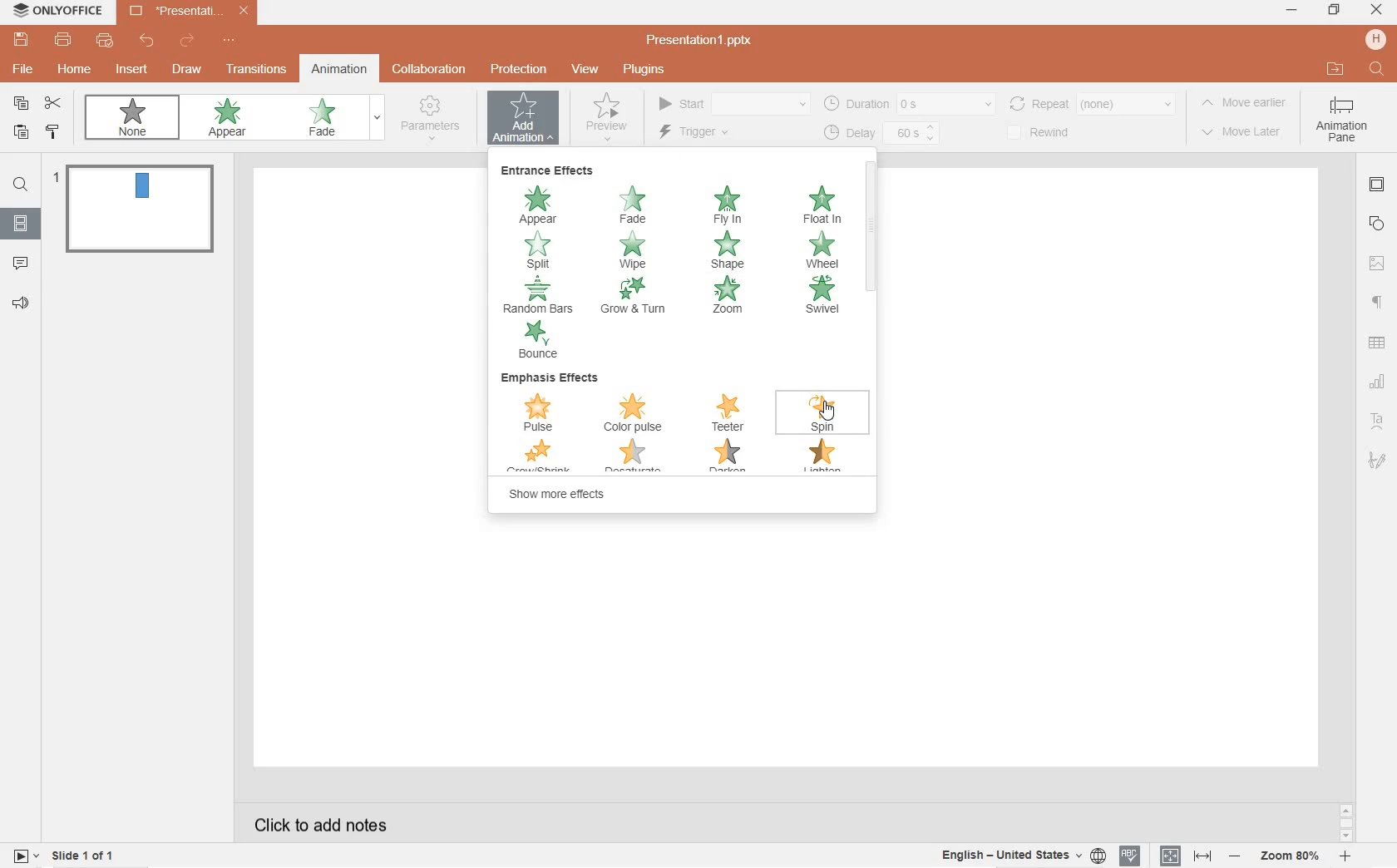 This screenshot has width=1397, height=868. What do you see at coordinates (822, 251) in the screenshot?
I see `wheel` at bounding box center [822, 251].